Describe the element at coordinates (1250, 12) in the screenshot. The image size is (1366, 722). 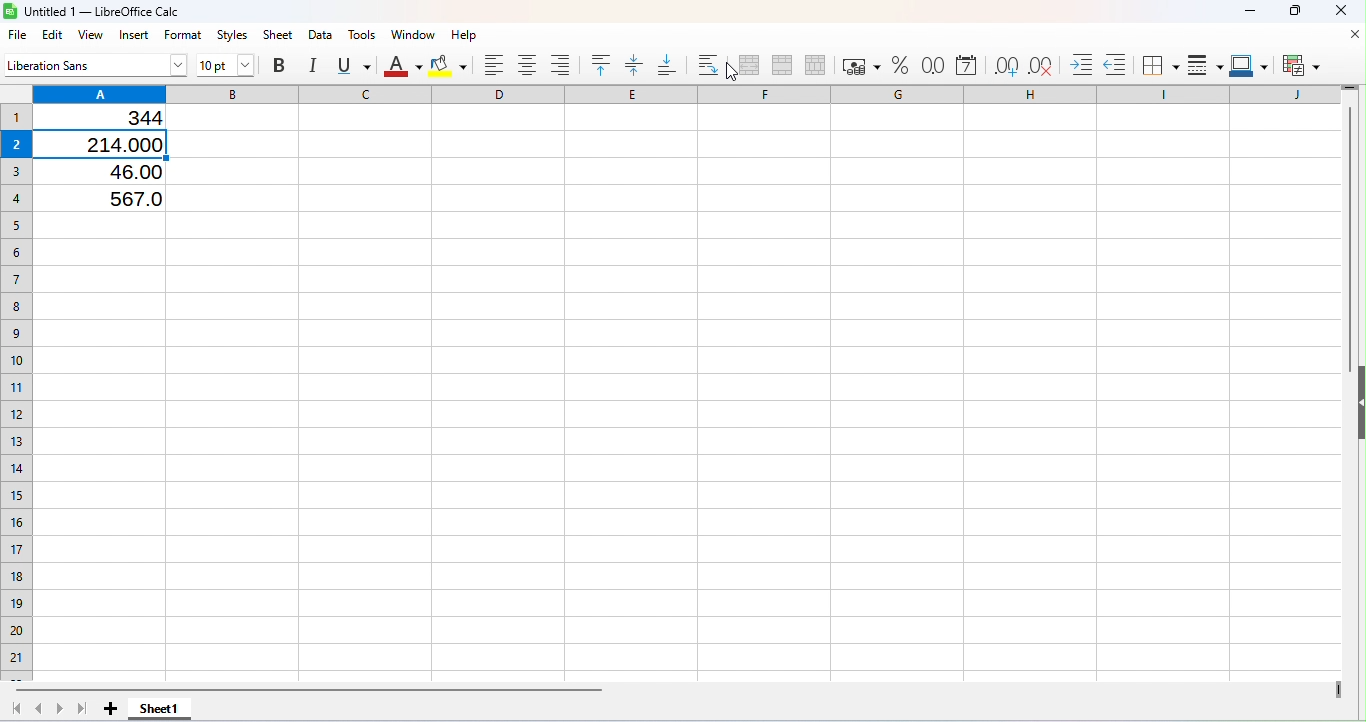
I see `Minimize` at that location.